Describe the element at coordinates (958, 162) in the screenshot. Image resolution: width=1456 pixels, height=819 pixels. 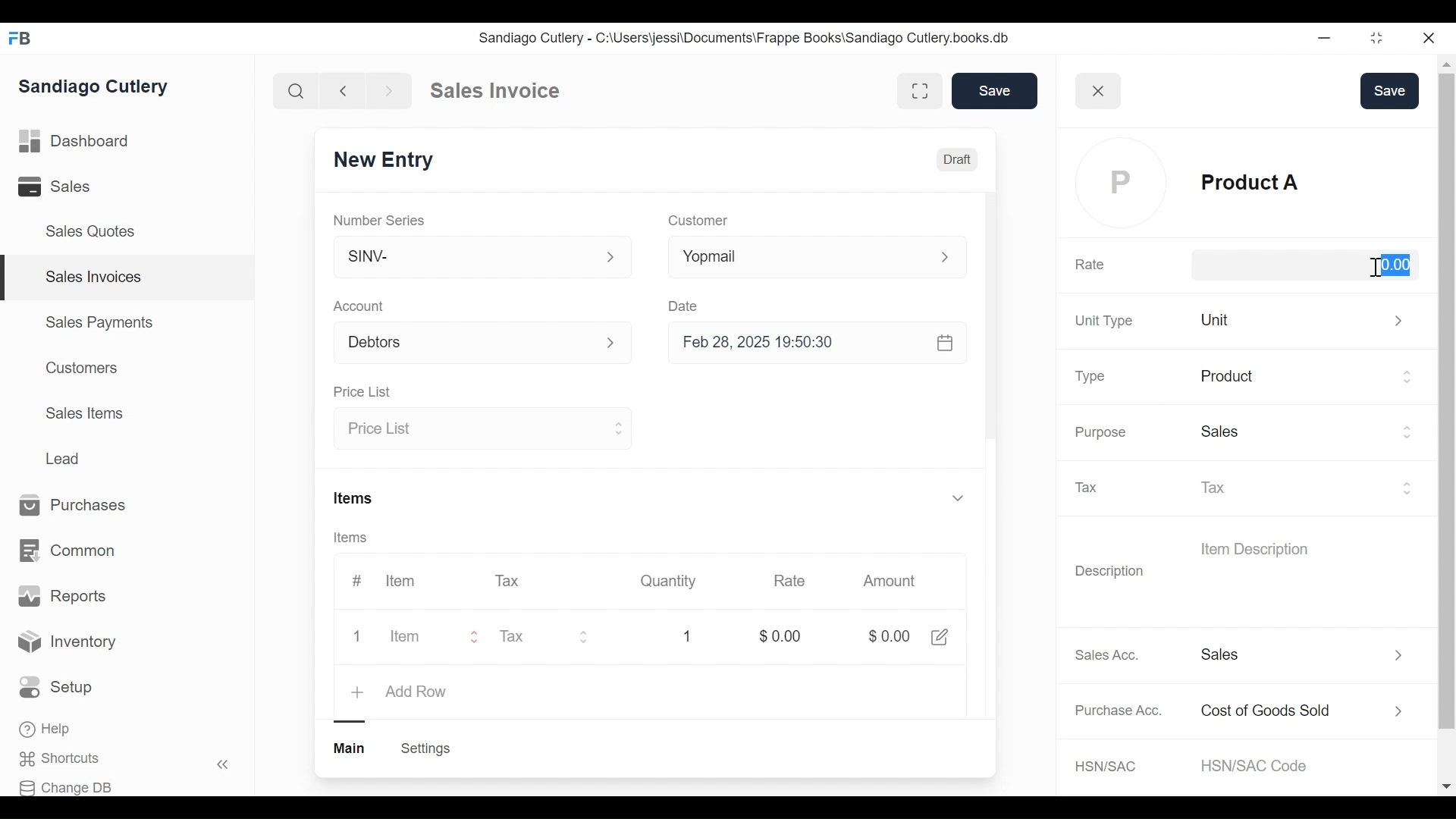
I see `Draft` at that location.